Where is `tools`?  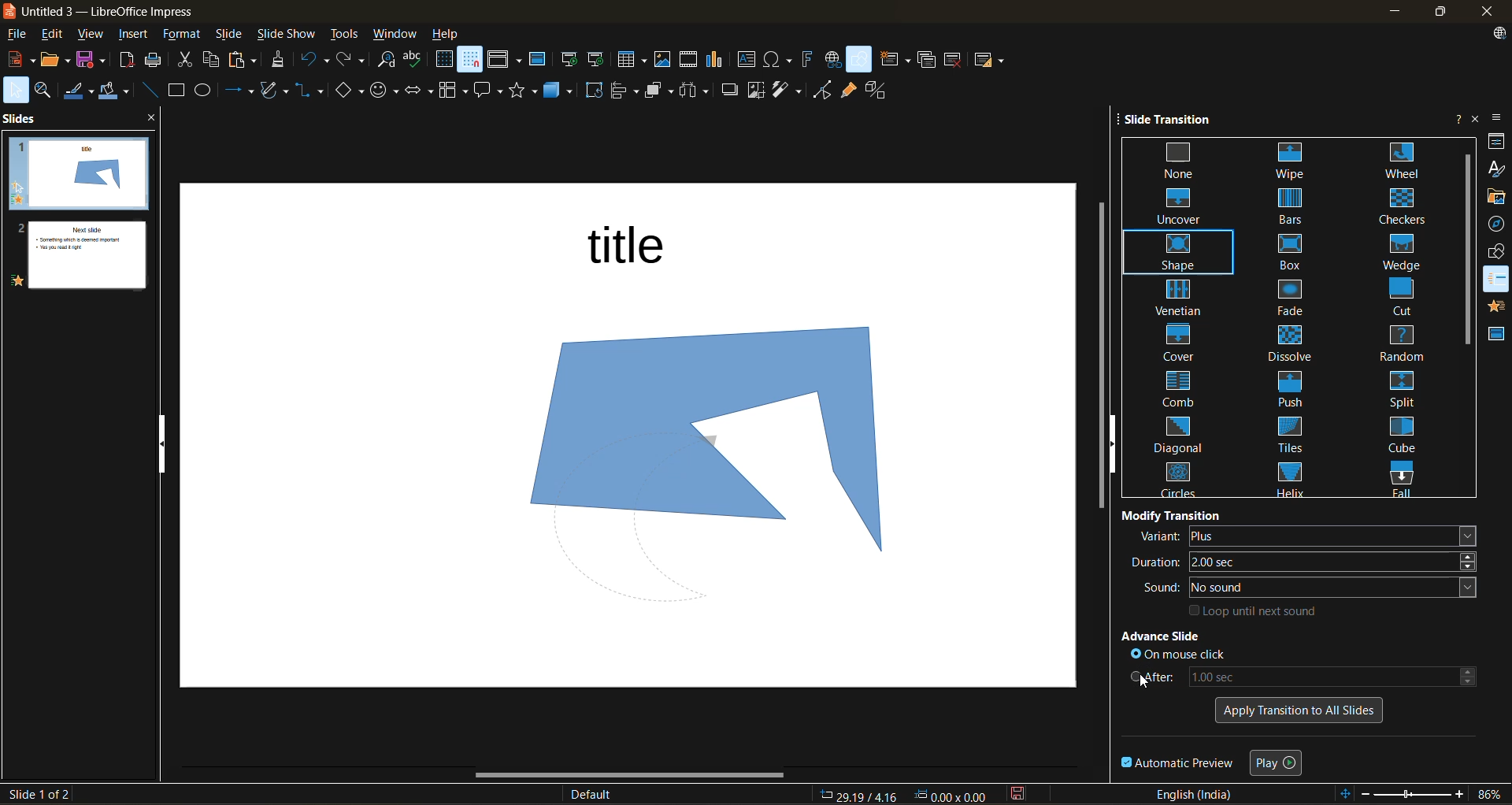 tools is located at coordinates (345, 32).